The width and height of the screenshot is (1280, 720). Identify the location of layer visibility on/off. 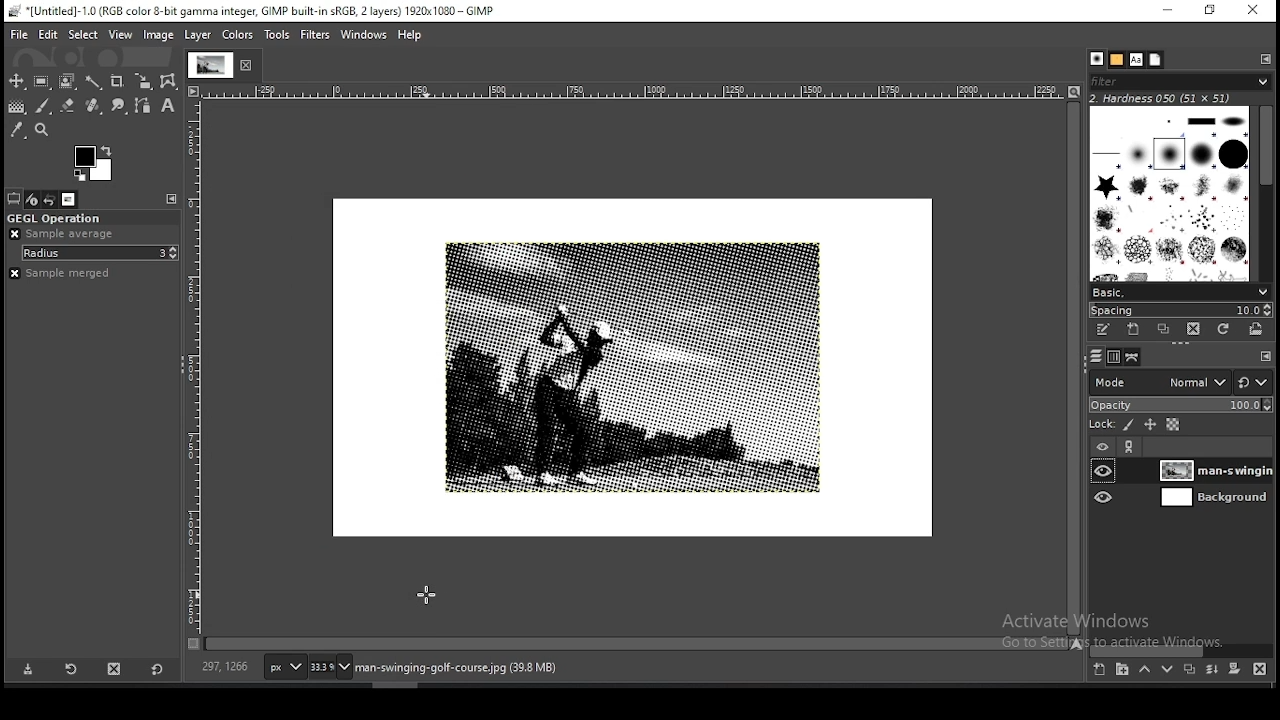
(1103, 497).